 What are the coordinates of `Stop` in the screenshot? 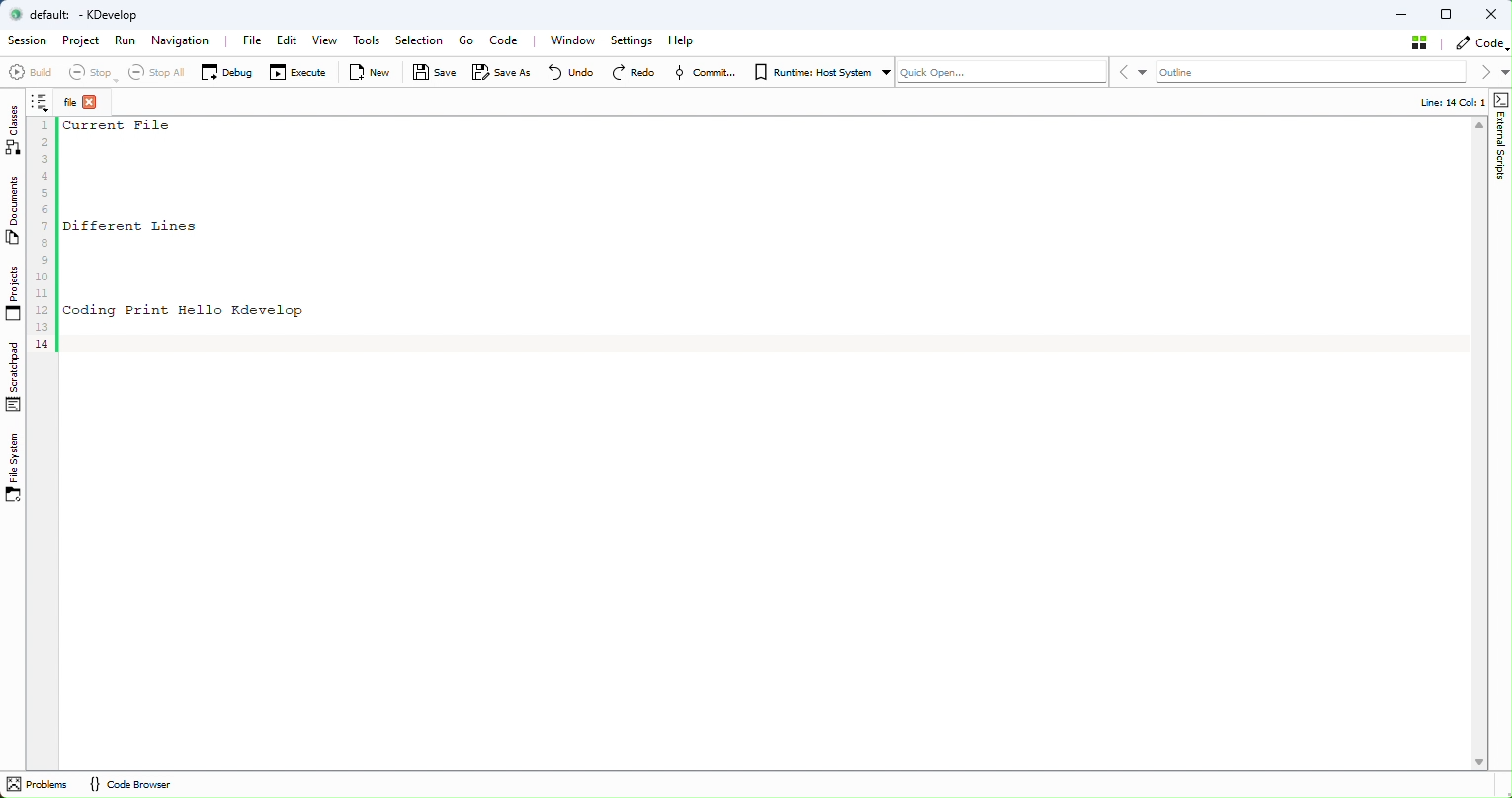 It's located at (88, 73).